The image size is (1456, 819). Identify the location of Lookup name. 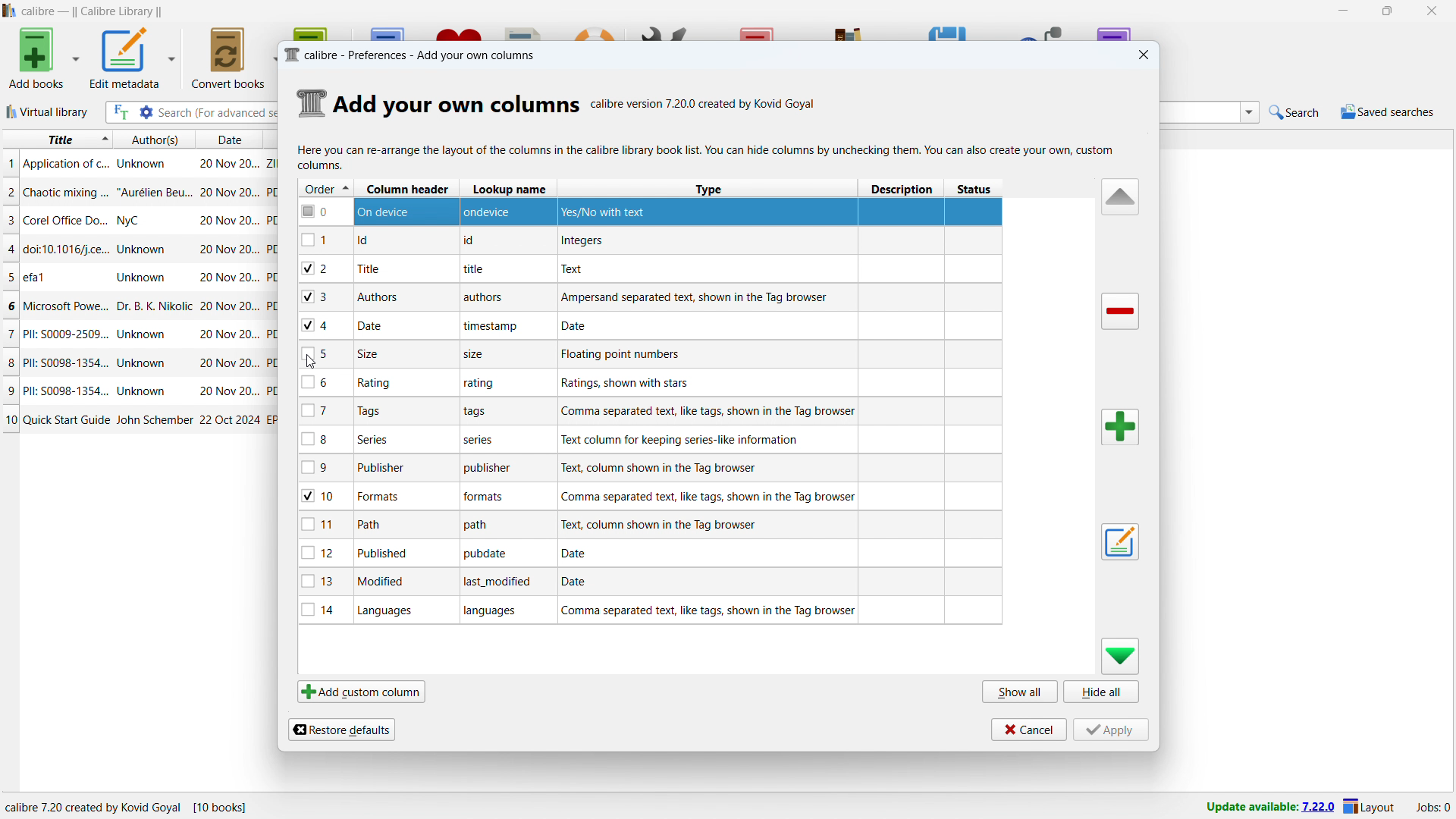
(511, 188).